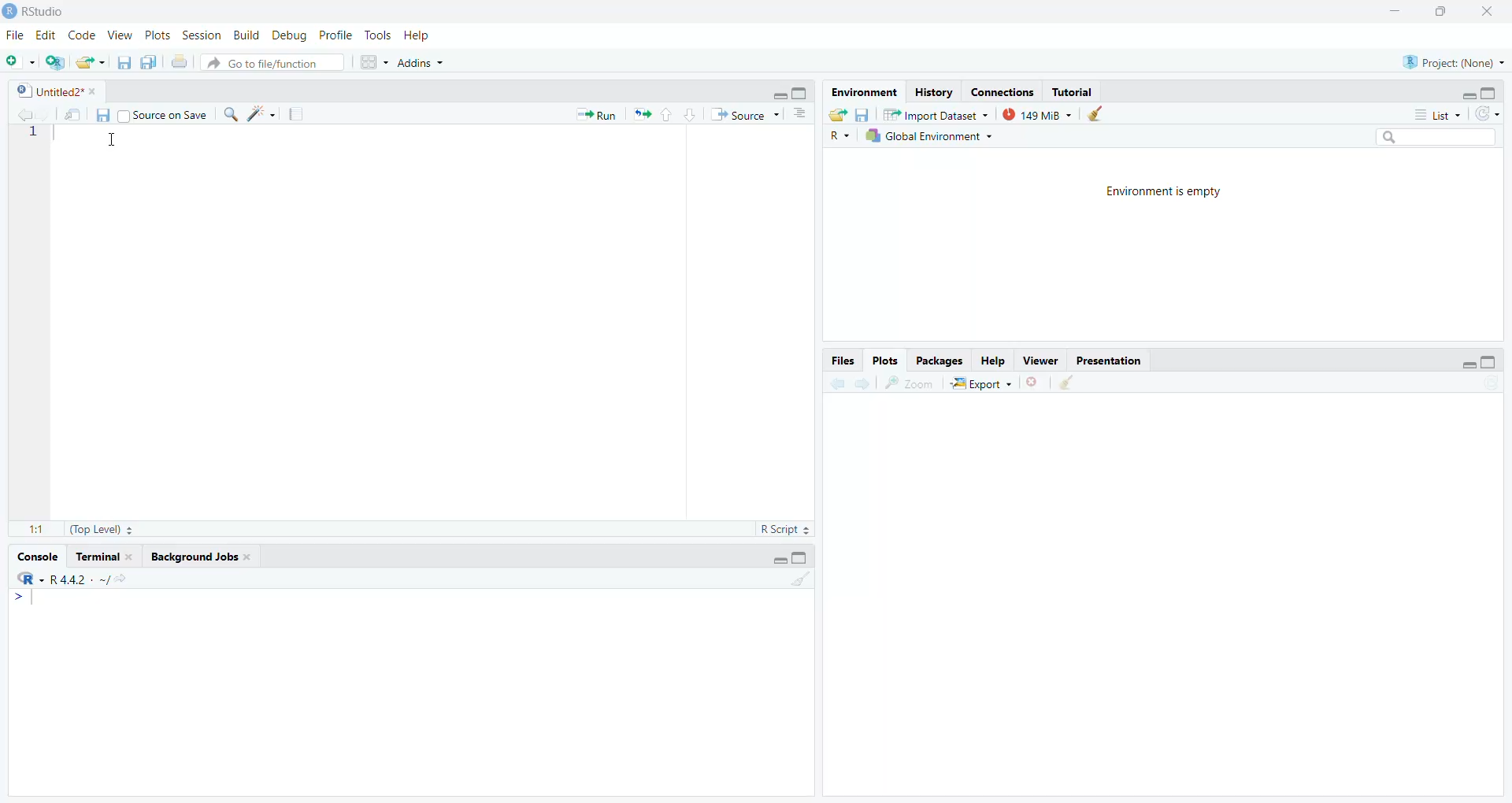  I want to click on Plots, so click(885, 360).